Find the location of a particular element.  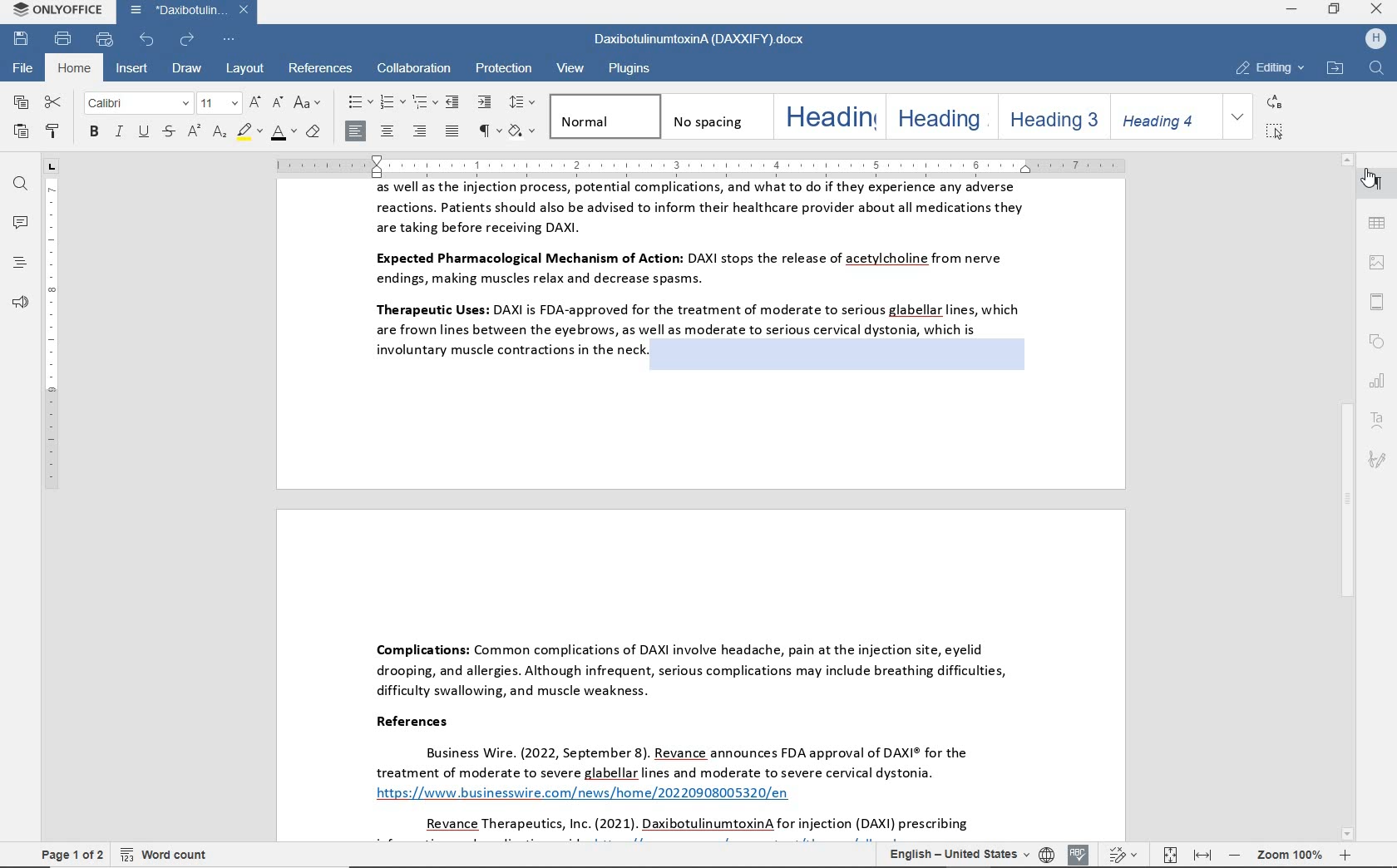

multilevel list is located at coordinates (422, 103).